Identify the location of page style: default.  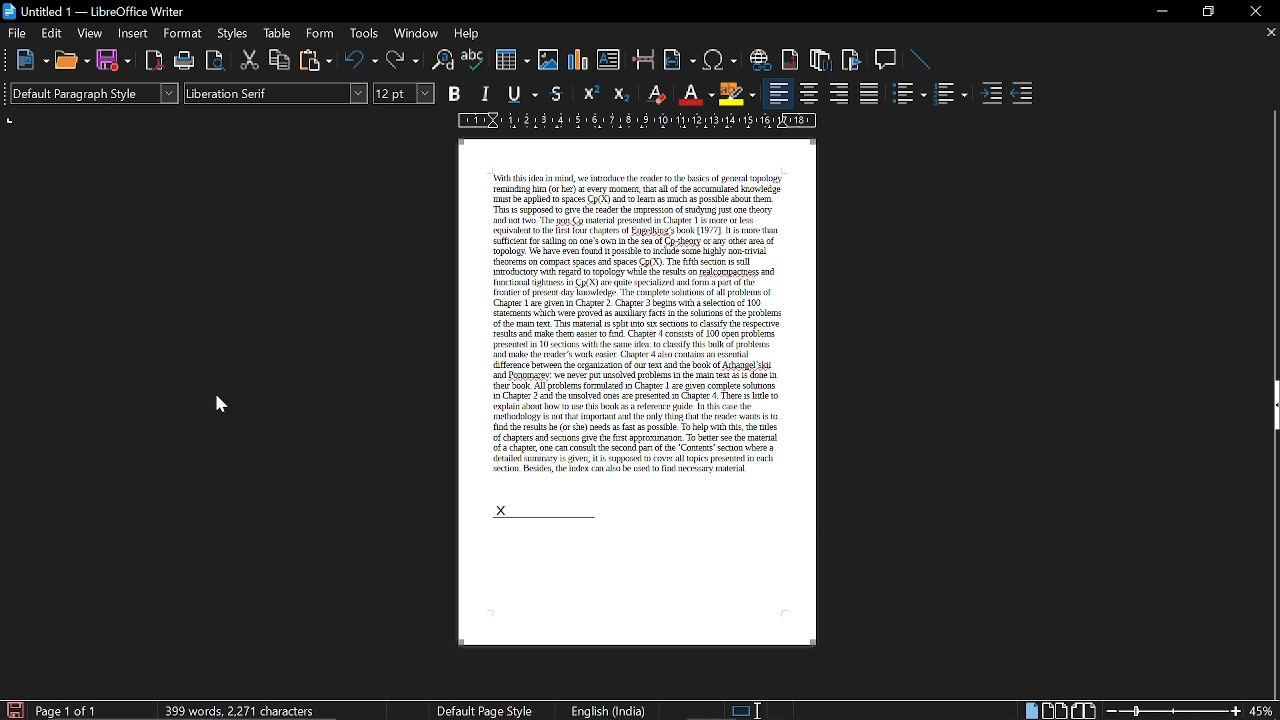
(488, 712).